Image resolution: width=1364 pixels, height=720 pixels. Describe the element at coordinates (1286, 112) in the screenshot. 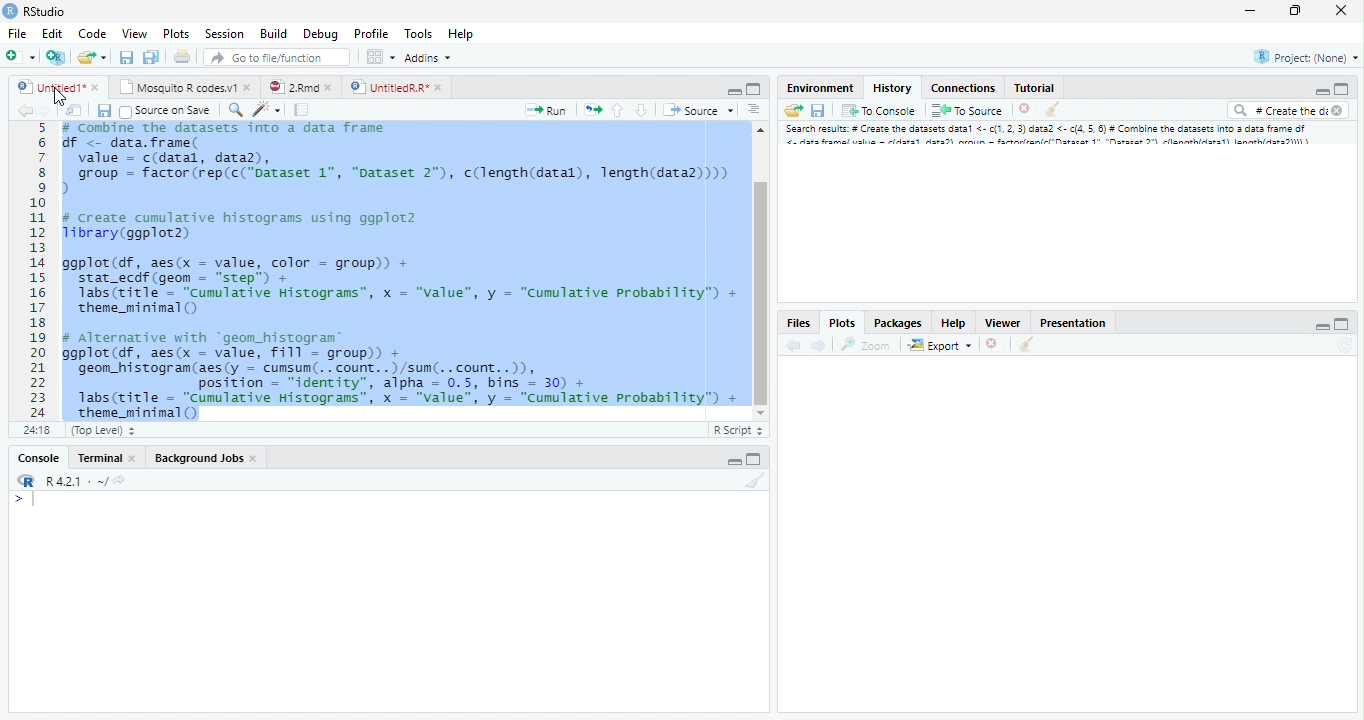

I see `# Create the di` at that location.